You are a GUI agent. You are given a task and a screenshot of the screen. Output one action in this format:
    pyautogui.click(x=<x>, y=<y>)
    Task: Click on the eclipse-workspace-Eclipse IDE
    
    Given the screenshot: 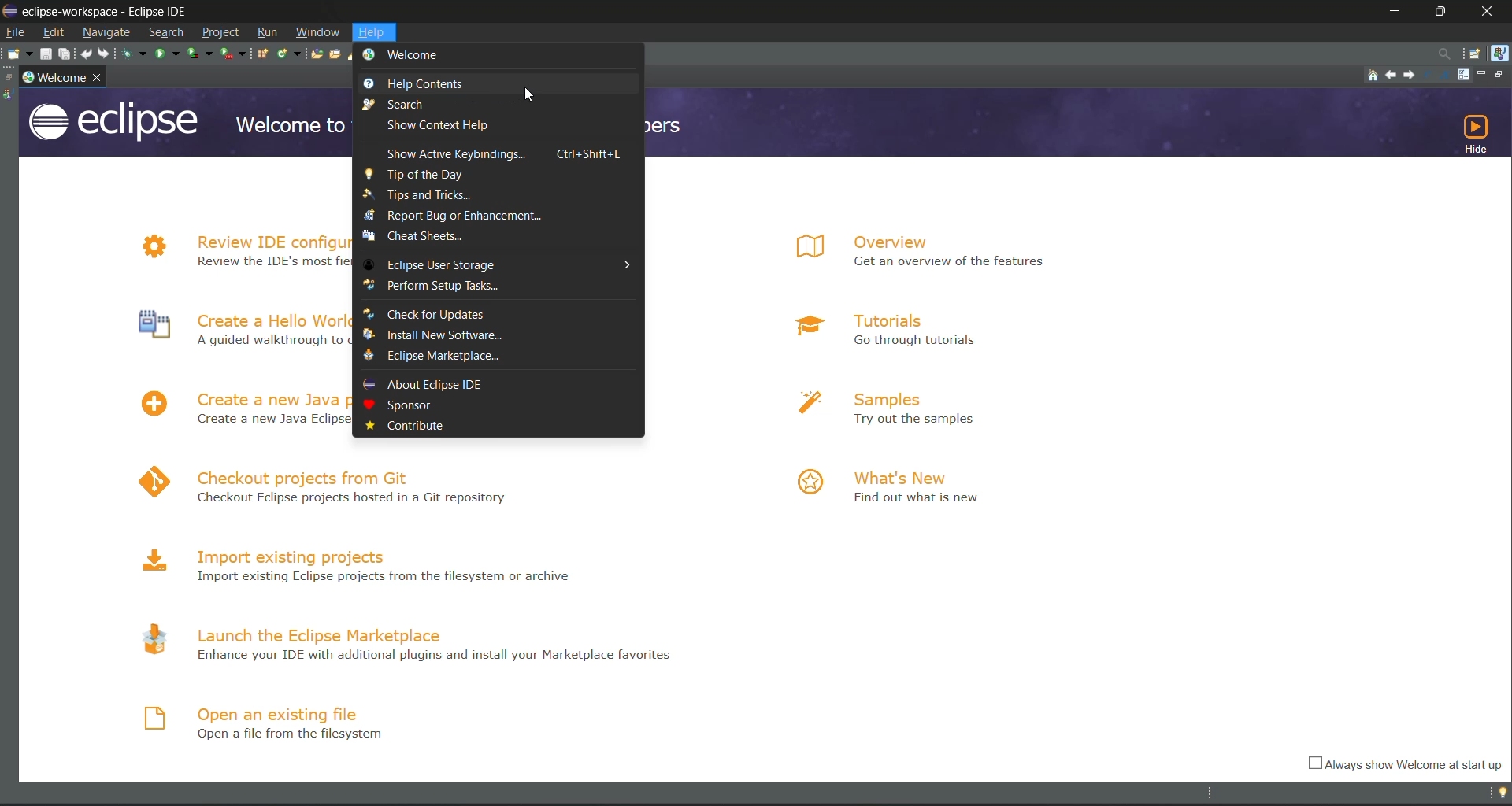 What is the action you would take?
    pyautogui.click(x=100, y=13)
    